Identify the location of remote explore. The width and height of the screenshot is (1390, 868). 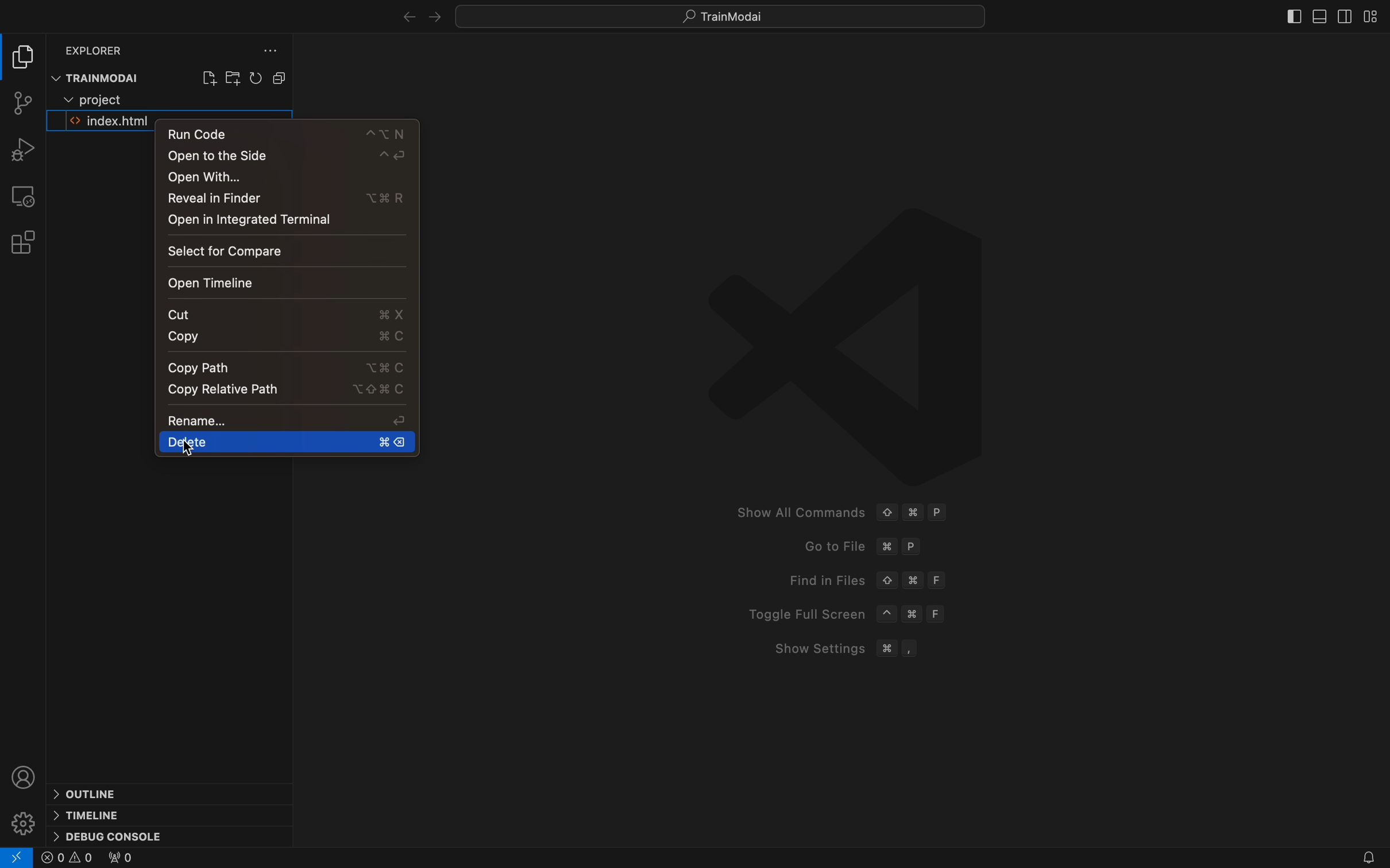
(25, 194).